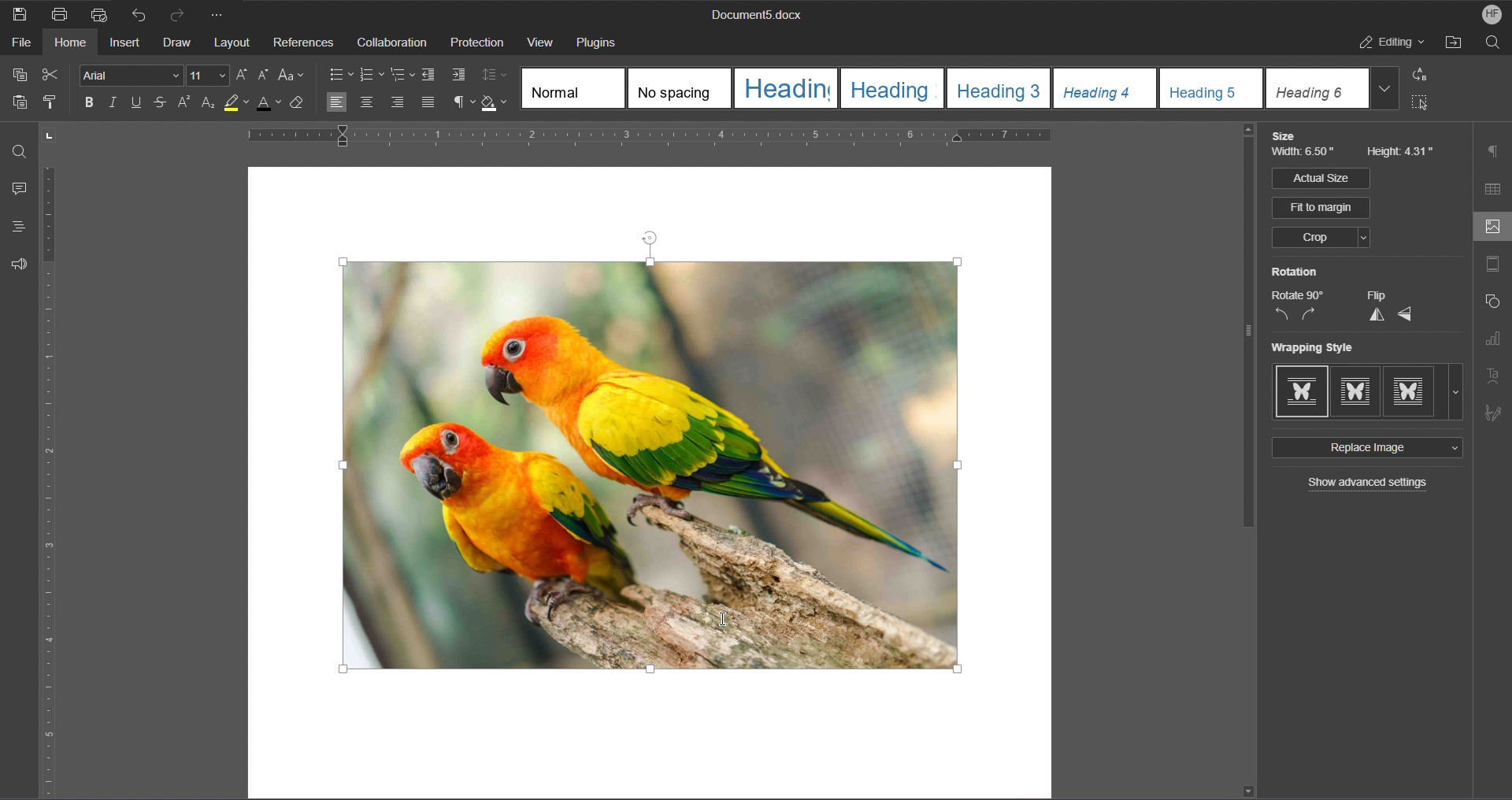  I want to click on Draw, so click(179, 43).